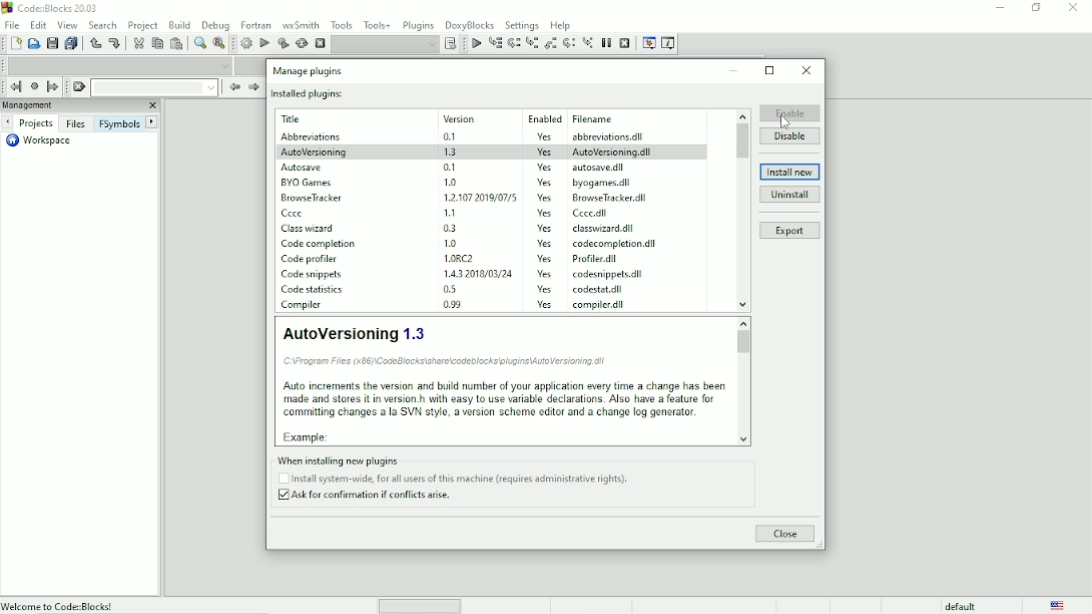  Describe the element at coordinates (1000, 6) in the screenshot. I see `Minimize` at that location.